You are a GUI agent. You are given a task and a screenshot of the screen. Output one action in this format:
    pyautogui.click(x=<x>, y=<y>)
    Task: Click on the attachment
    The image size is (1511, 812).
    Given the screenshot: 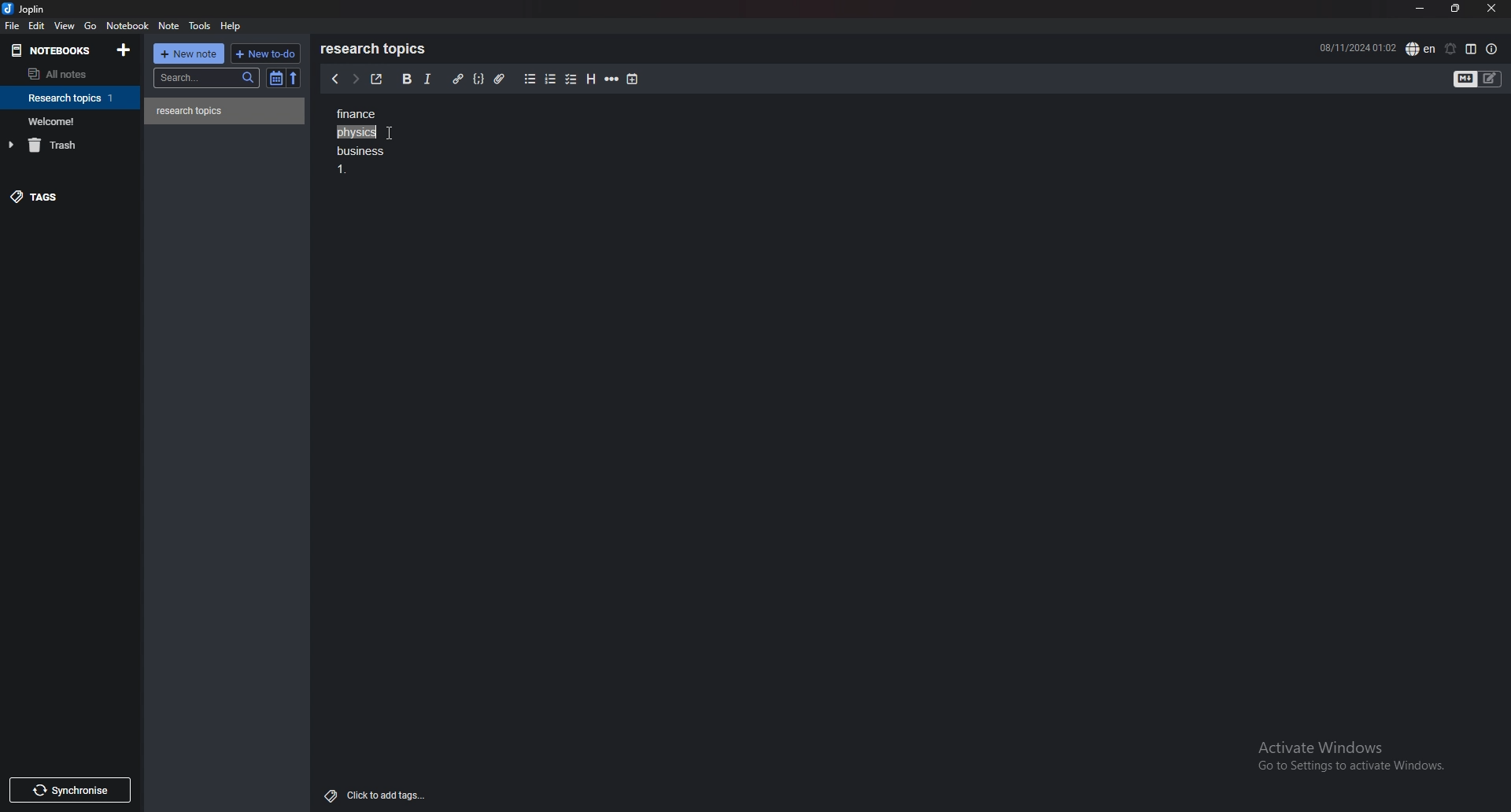 What is the action you would take?
    pyautogui.click(x=499, y=78)
    